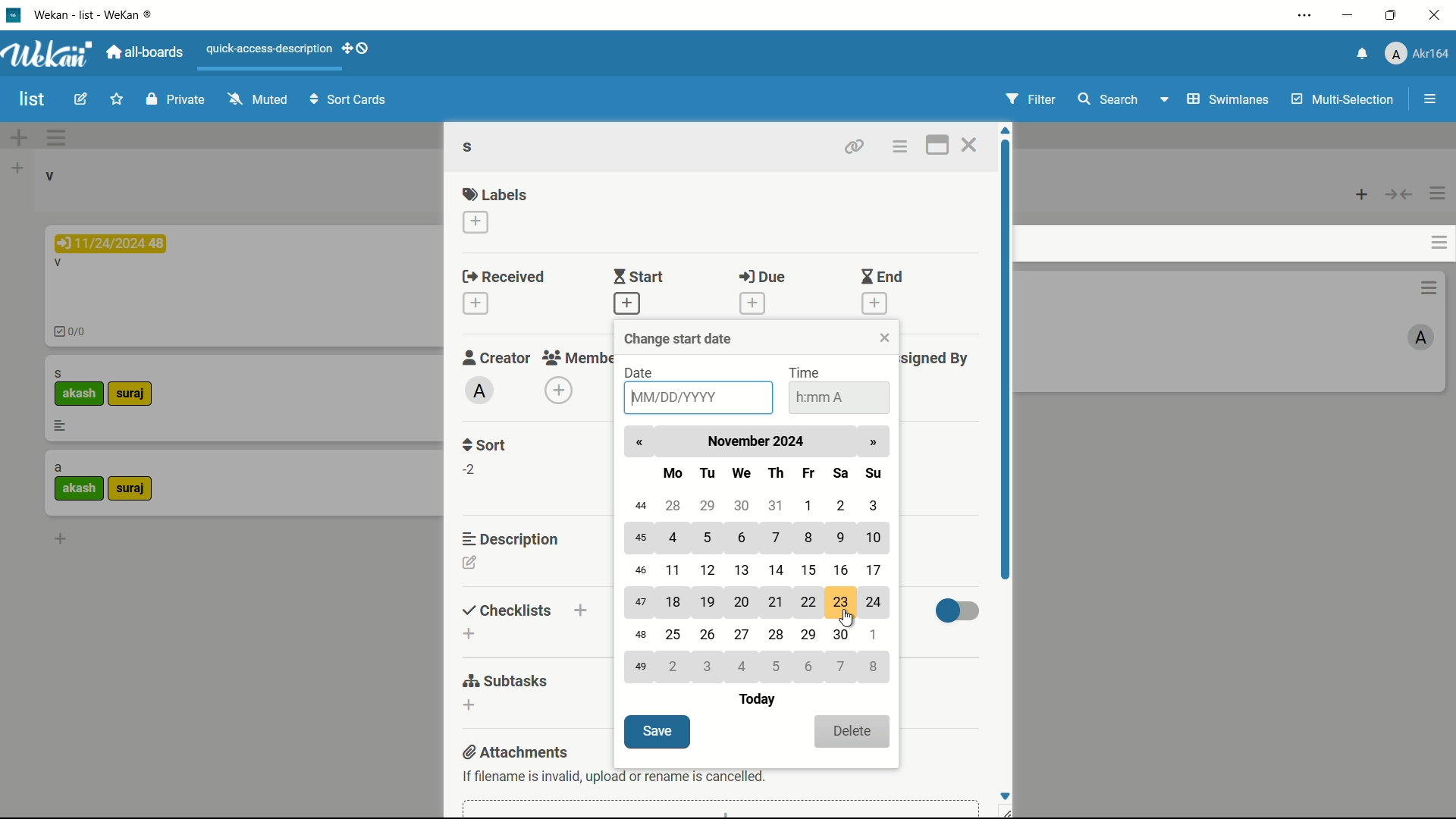 Image resolution: width=1456 pixels, height=819 pixels. What do you see at coordinates (883, 338) in the screenshot?
I see `close` at bounding box center [883, 338].